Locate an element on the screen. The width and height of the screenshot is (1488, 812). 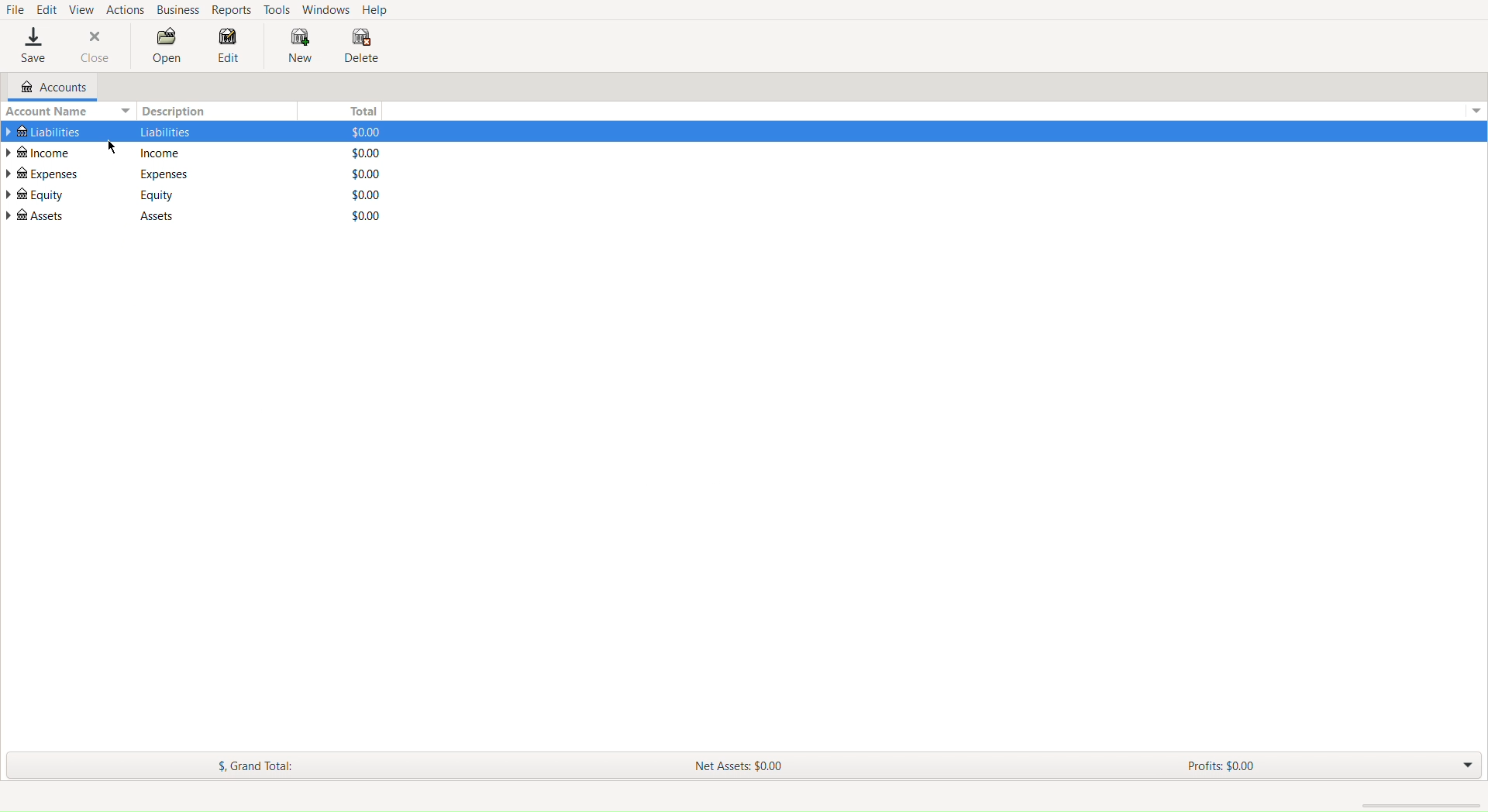
Edit is located at coordinates (48, 9).